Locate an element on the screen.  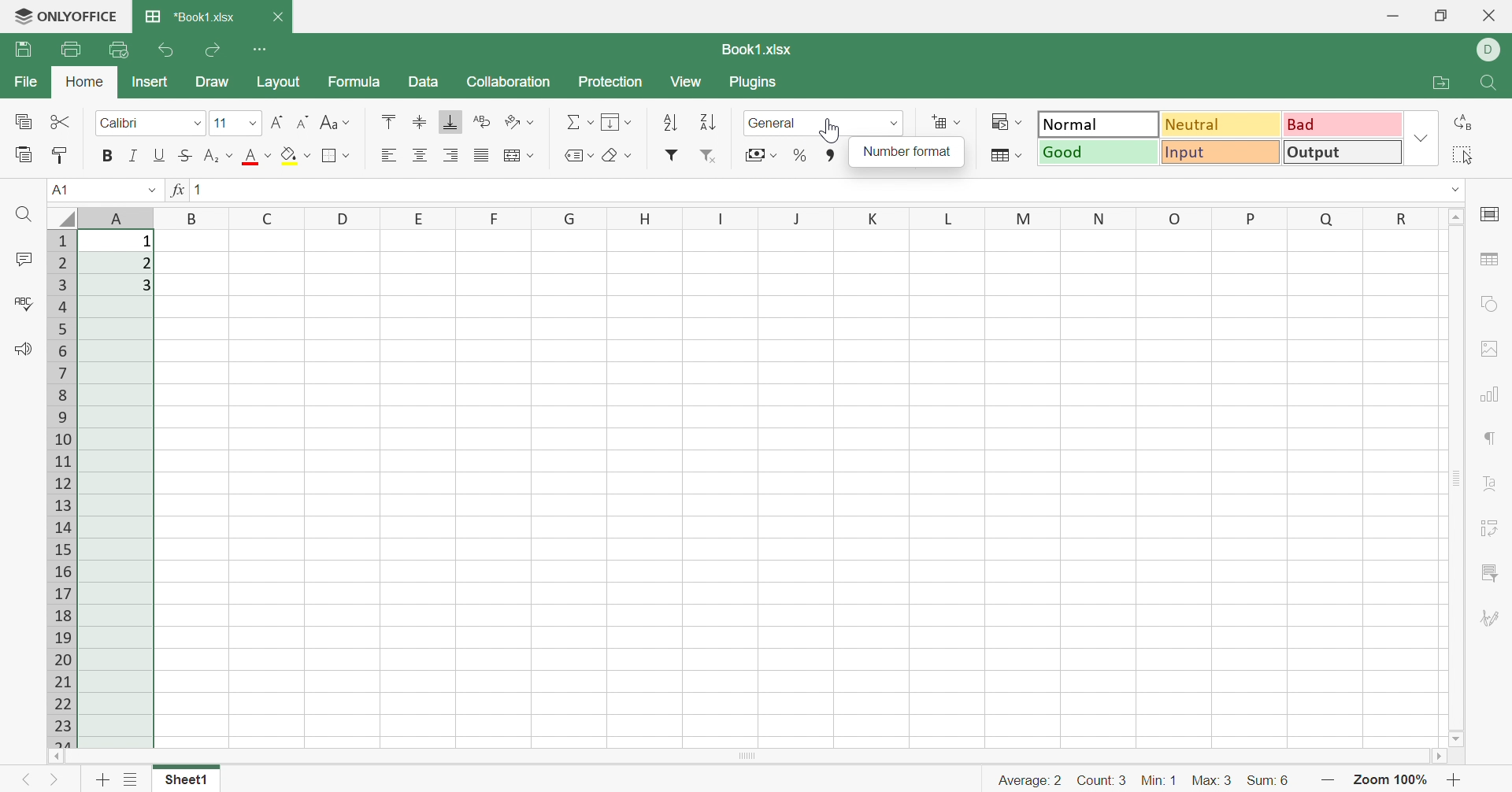
Add cells is located at coordinates (945, 121).